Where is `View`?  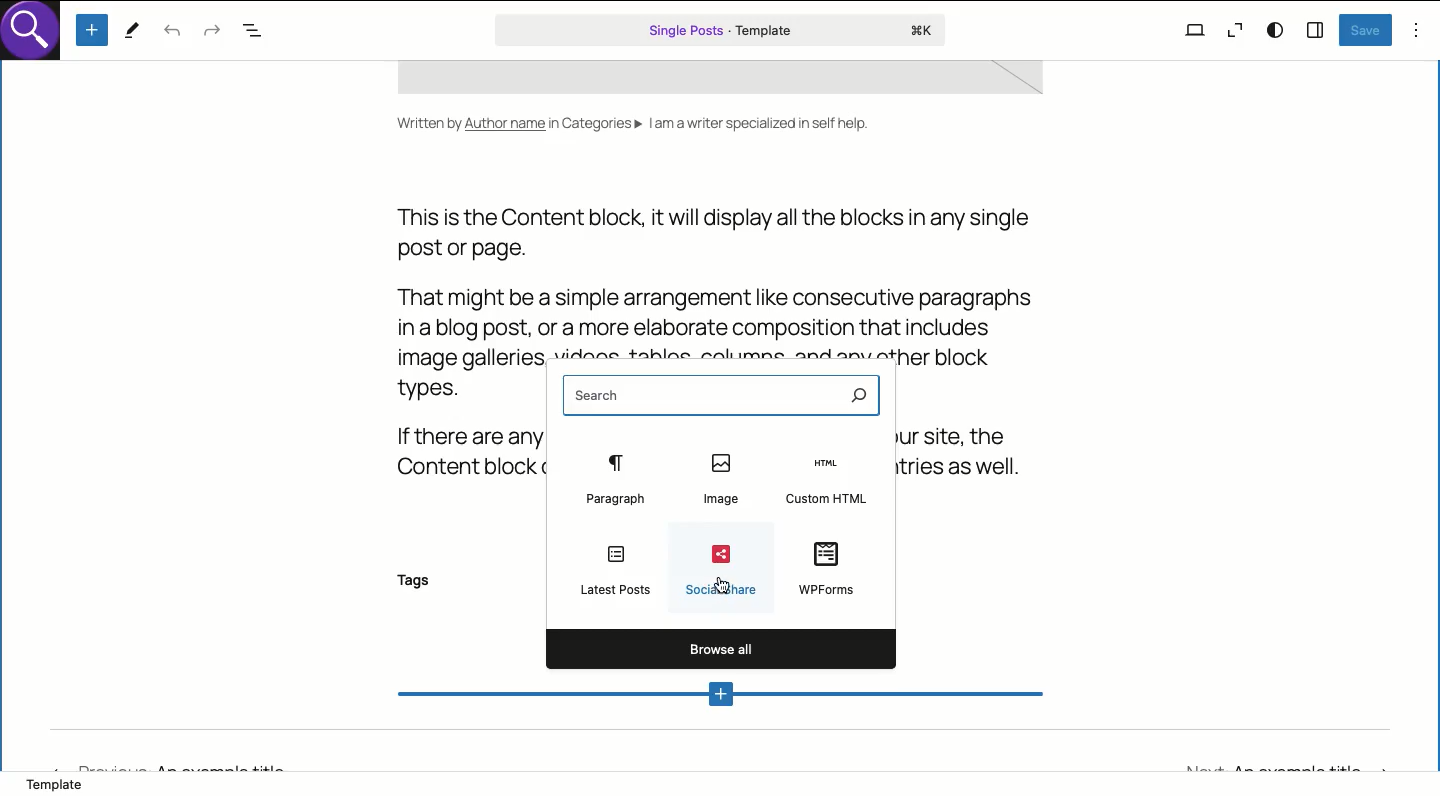 View is located at coordinates (1195, 29).